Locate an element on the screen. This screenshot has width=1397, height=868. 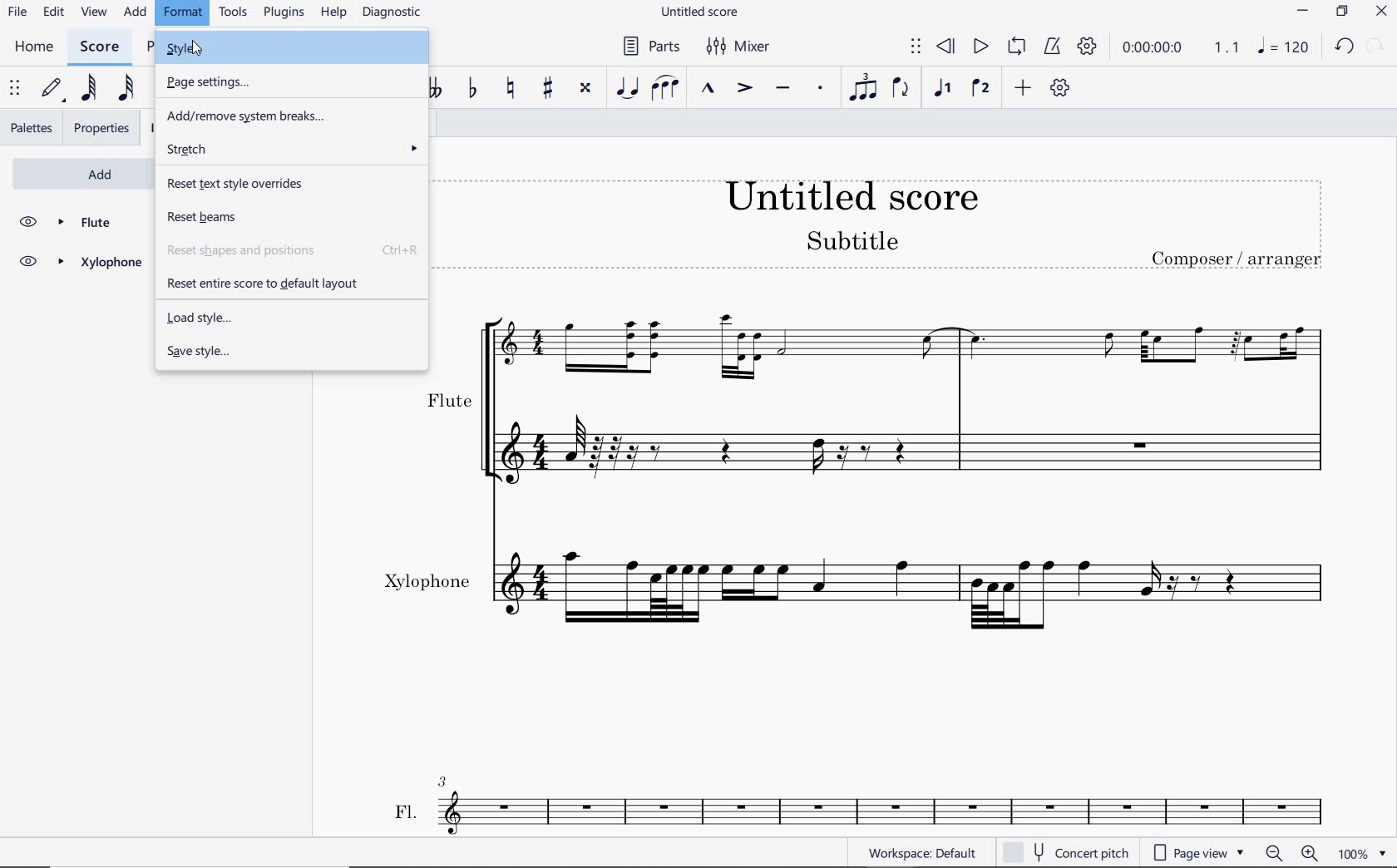
VOICE 2 is located at coordinates (979, 89).